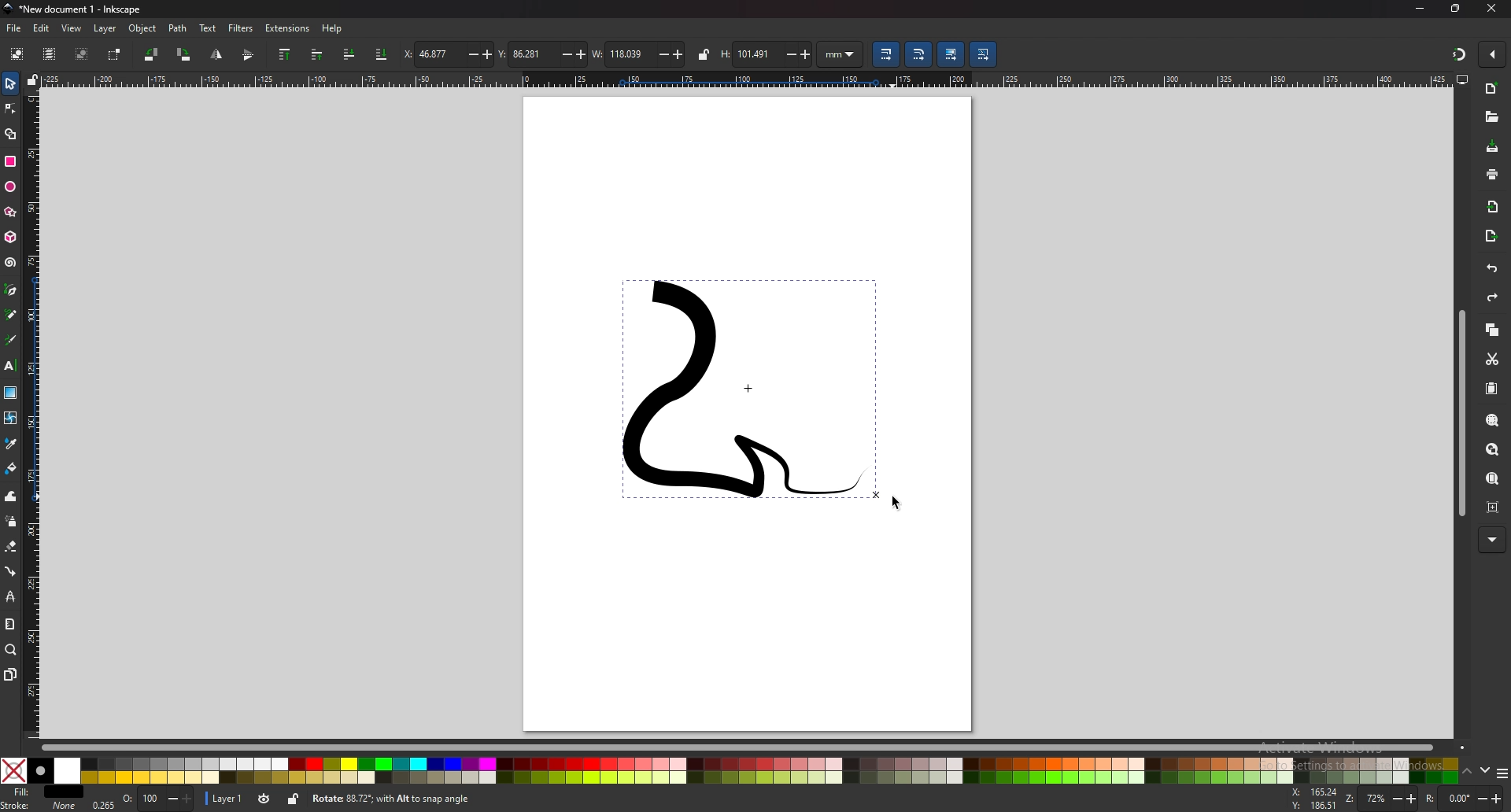 Image resolution: width=1511 pixels, height=812 pixels. Describe the element at coordinates (1494, 147) in the screenshot. I see `save` at that location.